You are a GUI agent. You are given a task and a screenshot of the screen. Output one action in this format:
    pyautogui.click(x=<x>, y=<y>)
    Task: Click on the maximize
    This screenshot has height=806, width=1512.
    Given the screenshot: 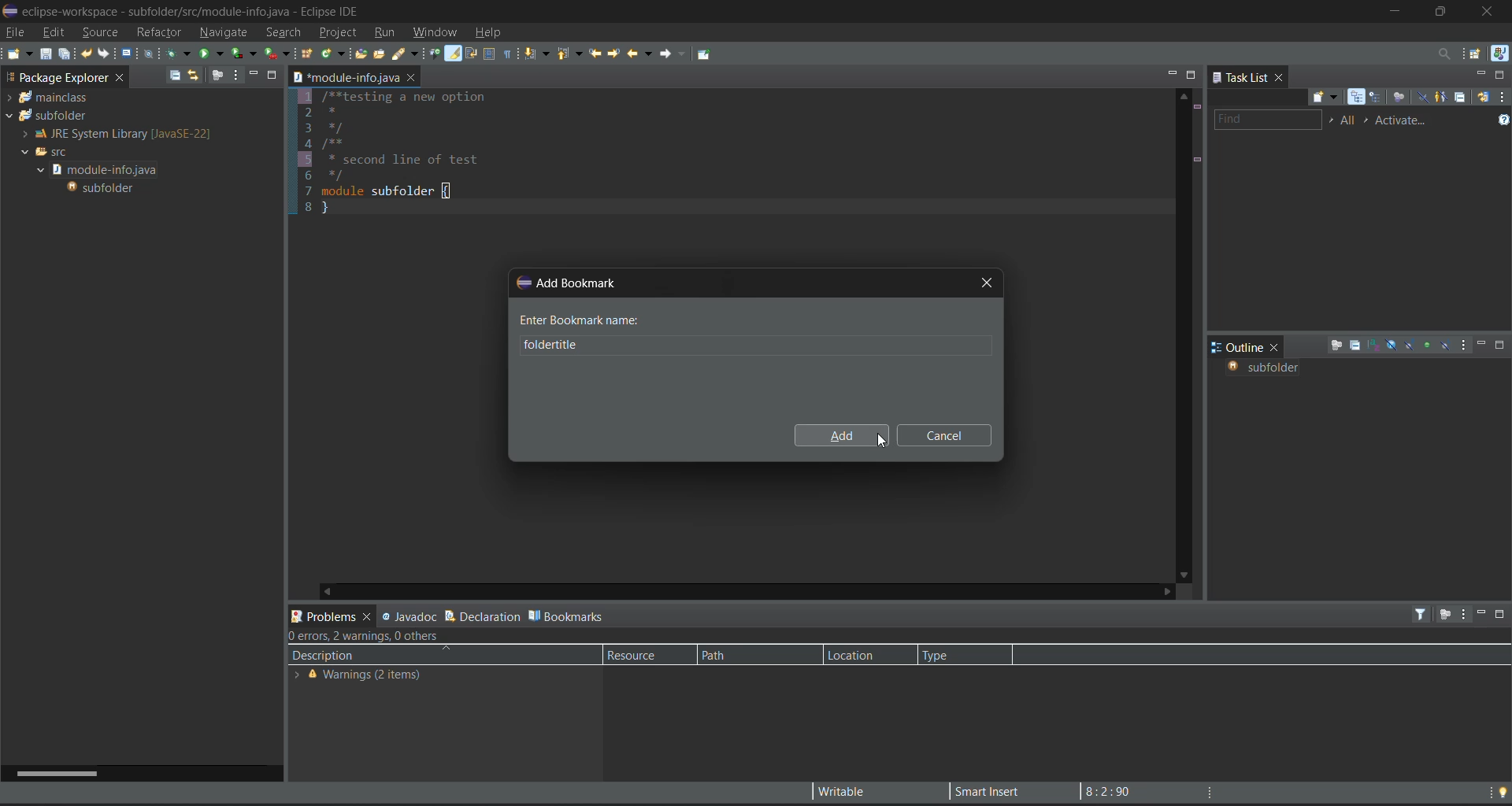 What is the action you would take?
    pyautogui.click(x=1446, y=9)
    